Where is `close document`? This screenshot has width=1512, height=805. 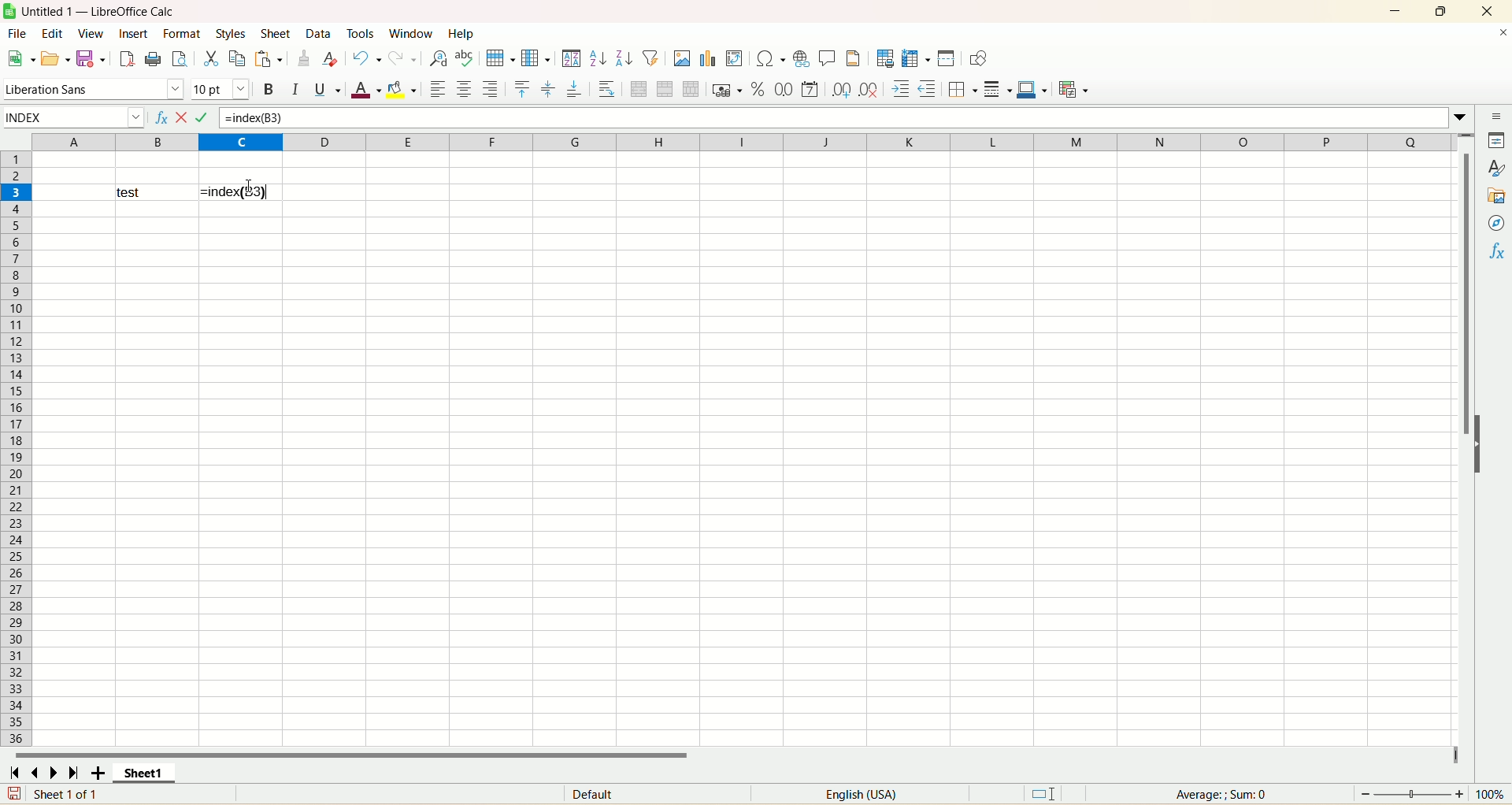
close document is located at coordinates (1501, 33).